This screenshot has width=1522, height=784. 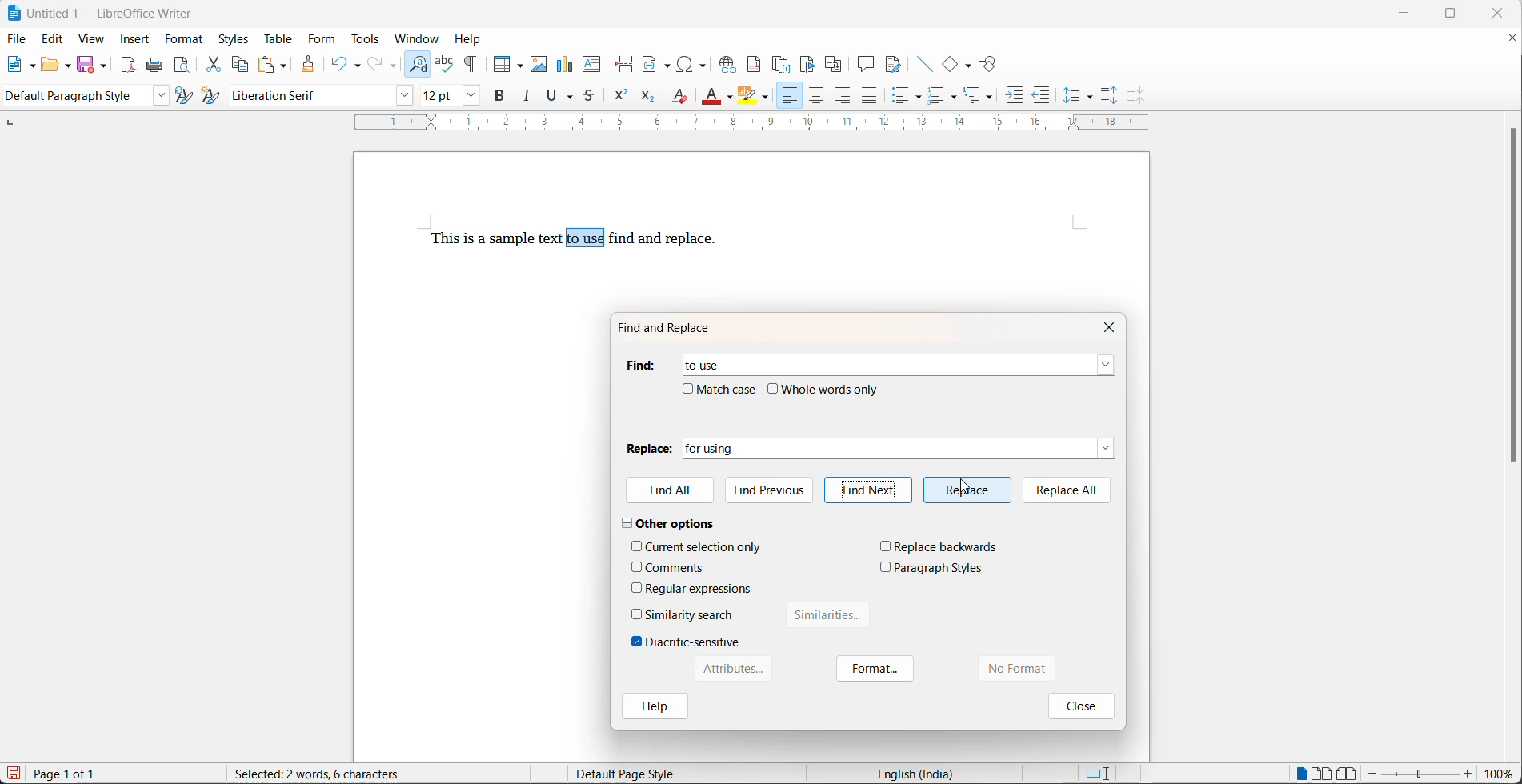 What do you see at coordinates (731, 669) in the screenshot?
I see `Attributes` at bounding box center [731, 669].